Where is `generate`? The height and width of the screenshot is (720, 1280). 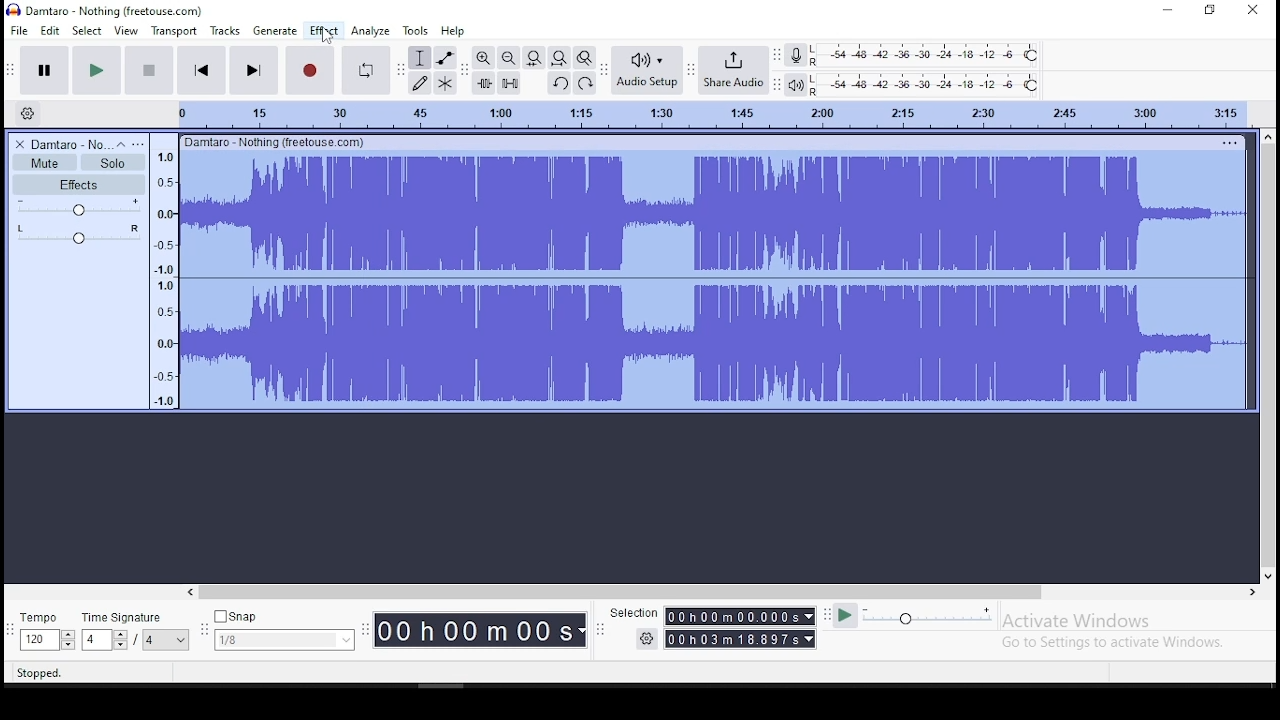 generate is located at coordinates (275, 32).